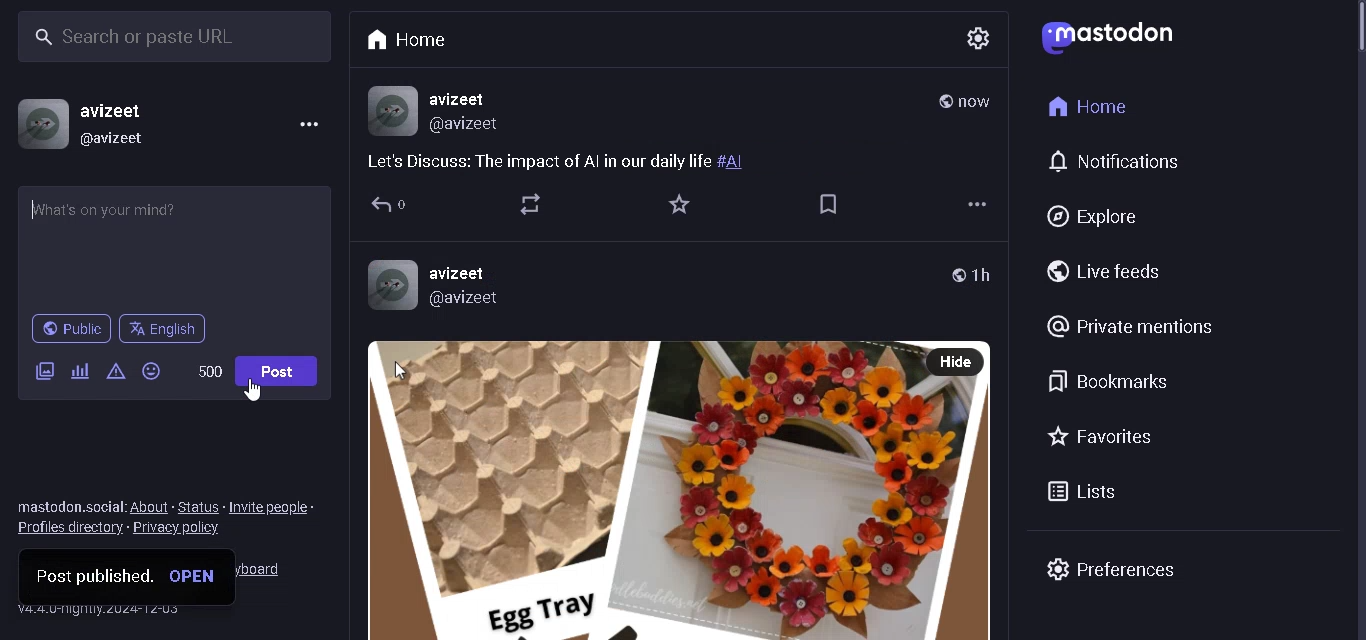 The image size is (1366, 640). I want to click on ABOUT, so click(149, 506).